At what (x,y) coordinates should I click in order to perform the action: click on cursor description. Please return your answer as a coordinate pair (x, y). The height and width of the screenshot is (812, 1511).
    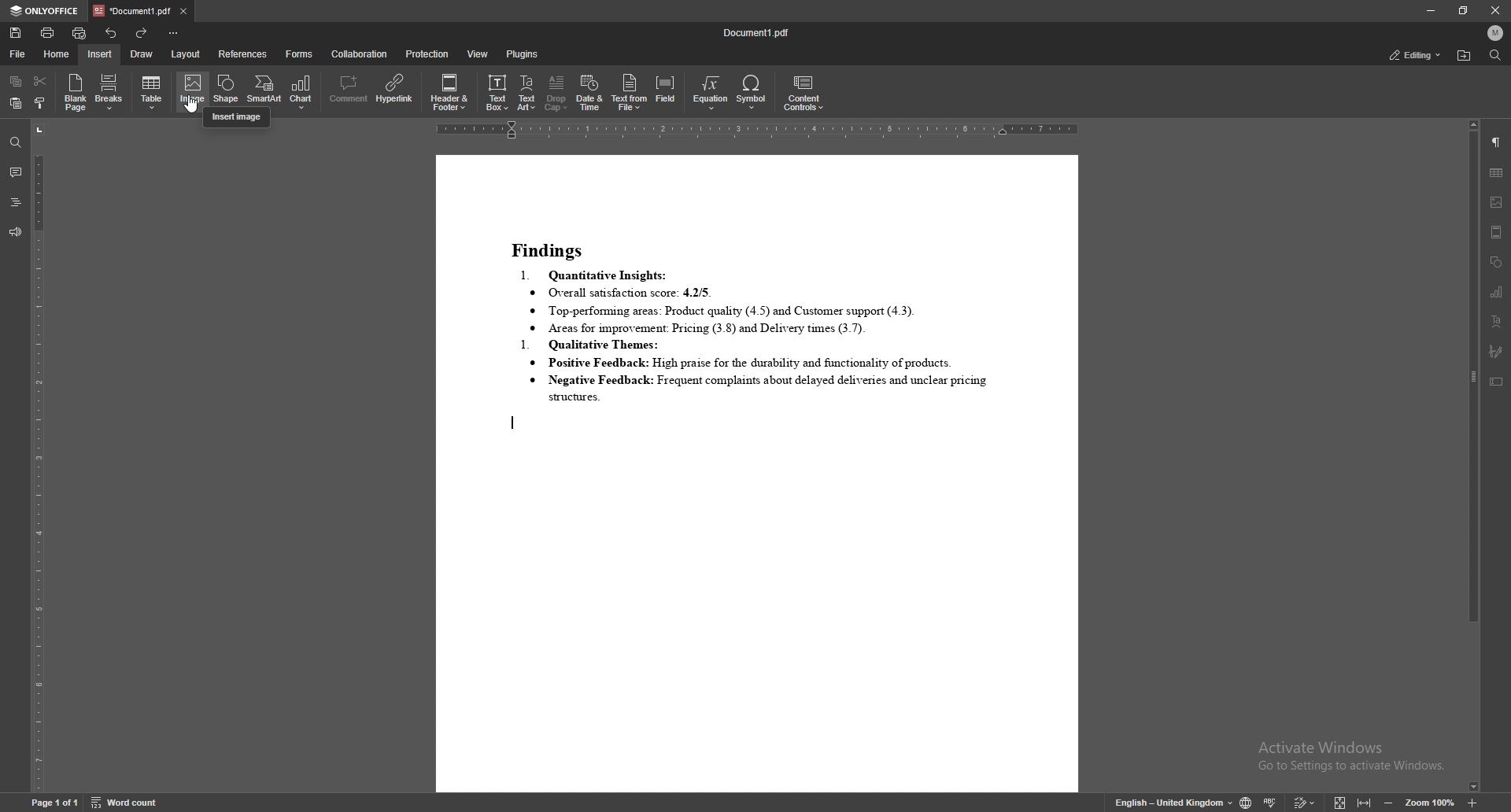
    Looking at the image, I should click on (237, 116).